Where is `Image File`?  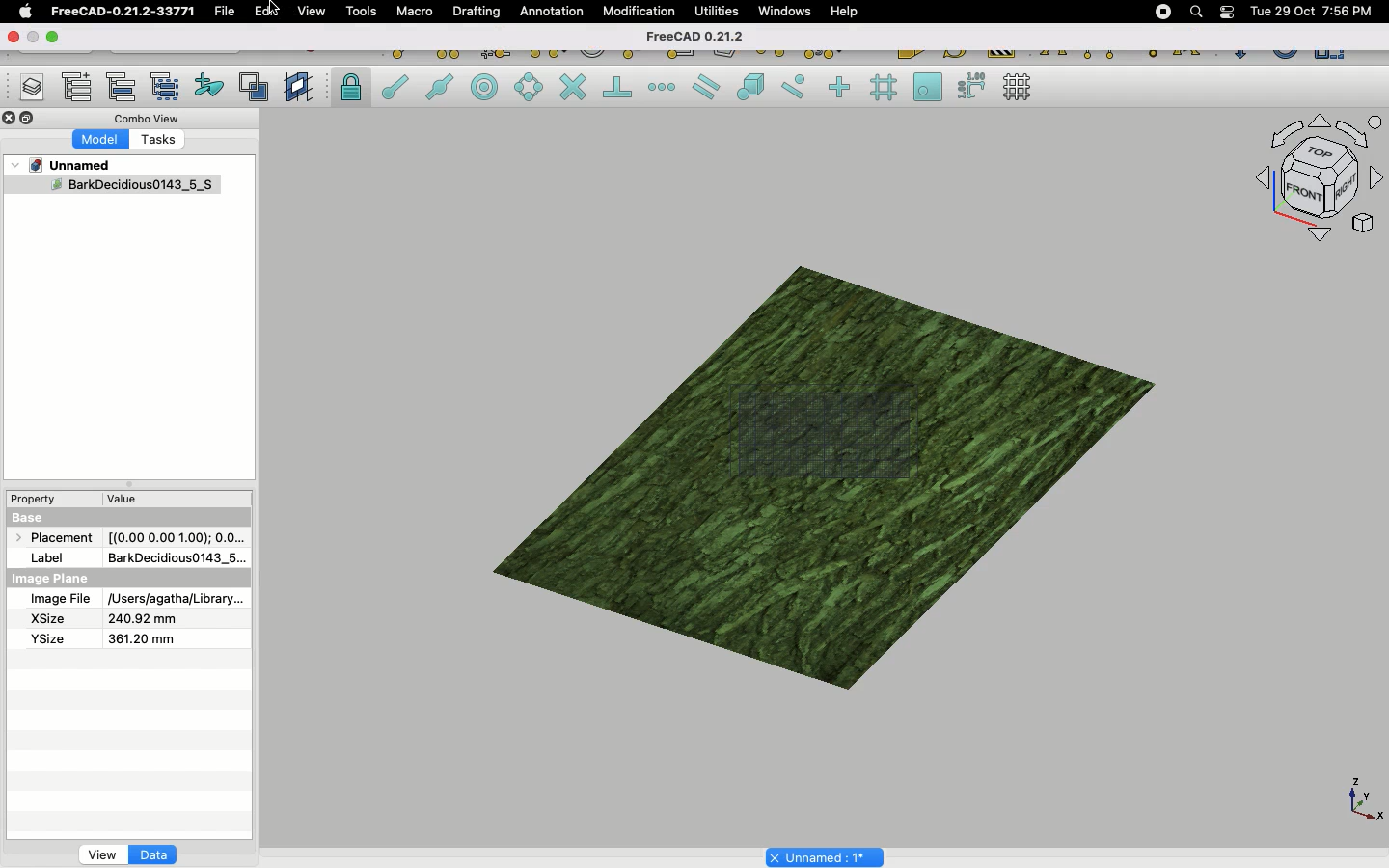 Image File is located at coordinates (60, 600).